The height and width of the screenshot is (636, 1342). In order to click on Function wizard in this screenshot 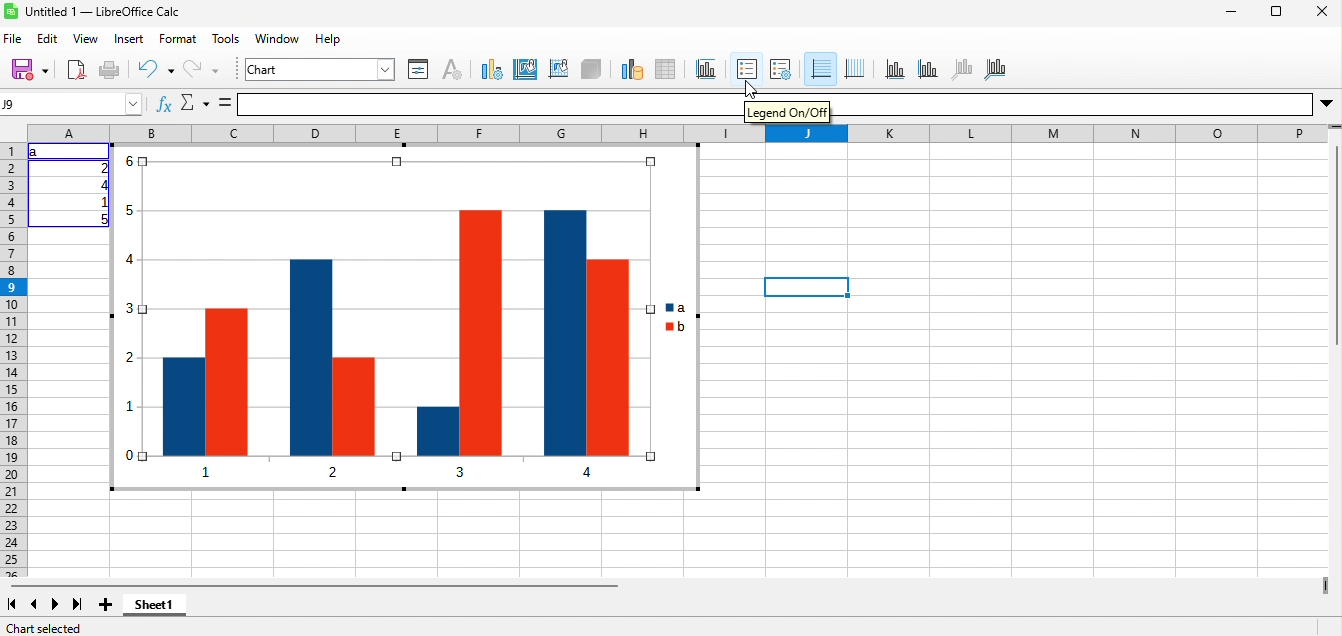, I will do `click(164, 103)`.